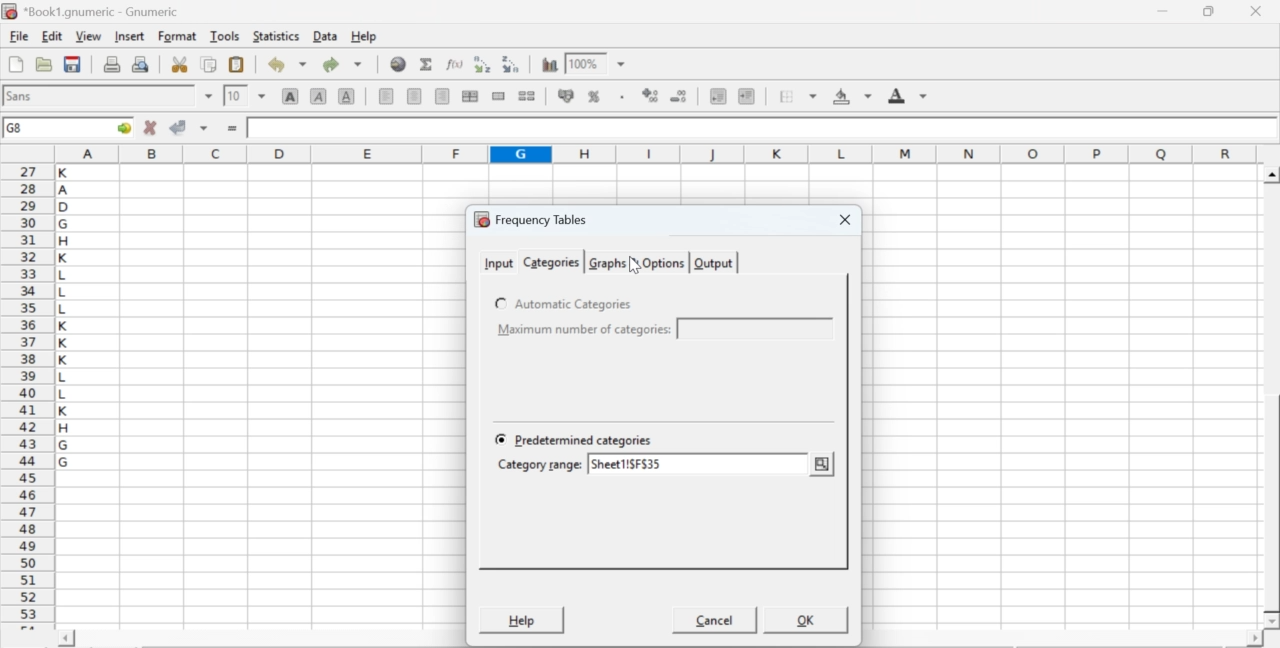 Image resolution: width=1280 pixels, height=648 pixels. Describe the element at coordinates (550, 263) in the screenshot. I see `categories` at that location.